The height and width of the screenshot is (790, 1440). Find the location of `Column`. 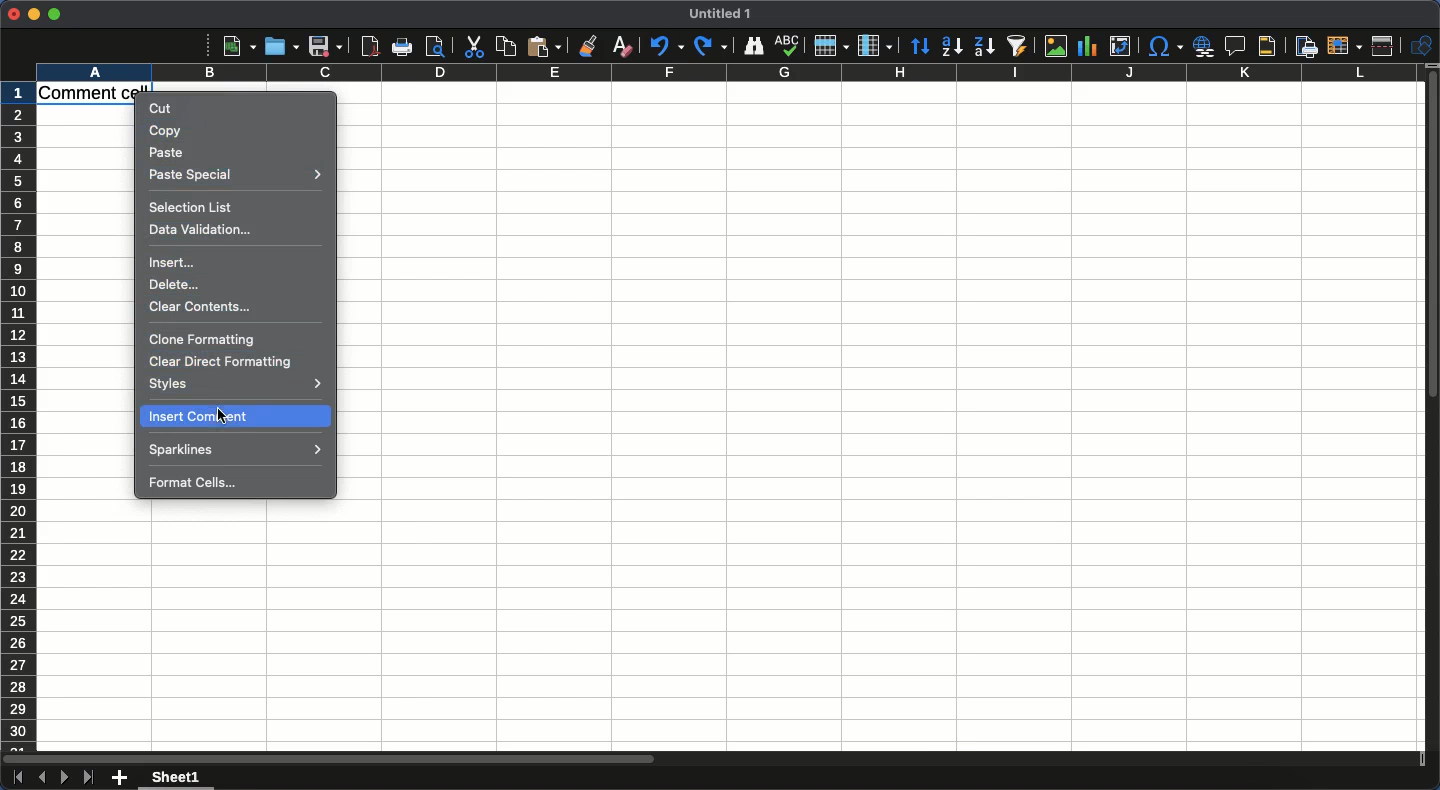

Column is located at coordinates (877, 45).